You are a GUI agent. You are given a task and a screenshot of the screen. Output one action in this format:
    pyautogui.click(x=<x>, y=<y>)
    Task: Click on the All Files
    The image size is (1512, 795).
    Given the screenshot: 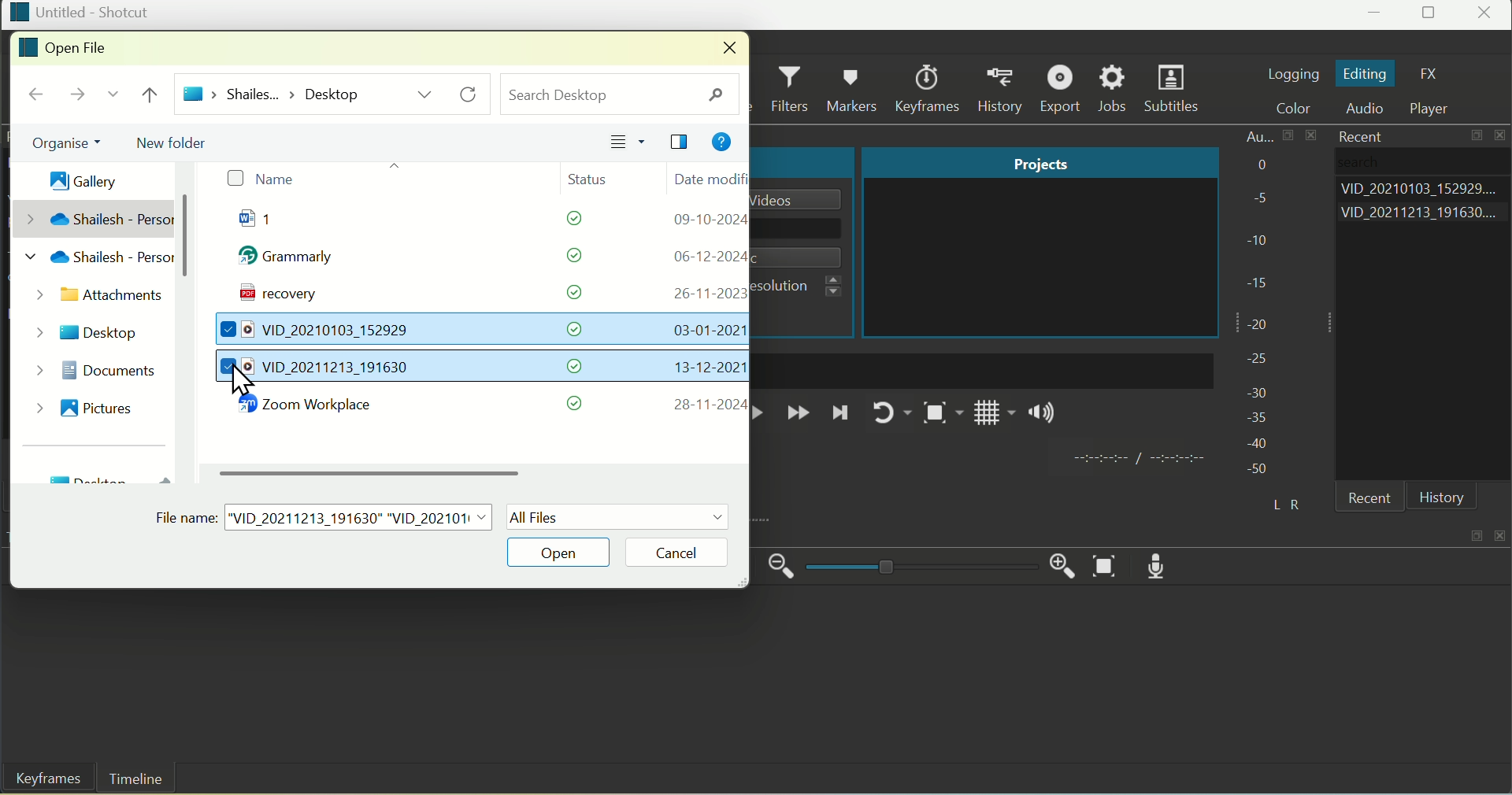 What is the action you would take?
    pyautogui.click(x=618, y=516)
    